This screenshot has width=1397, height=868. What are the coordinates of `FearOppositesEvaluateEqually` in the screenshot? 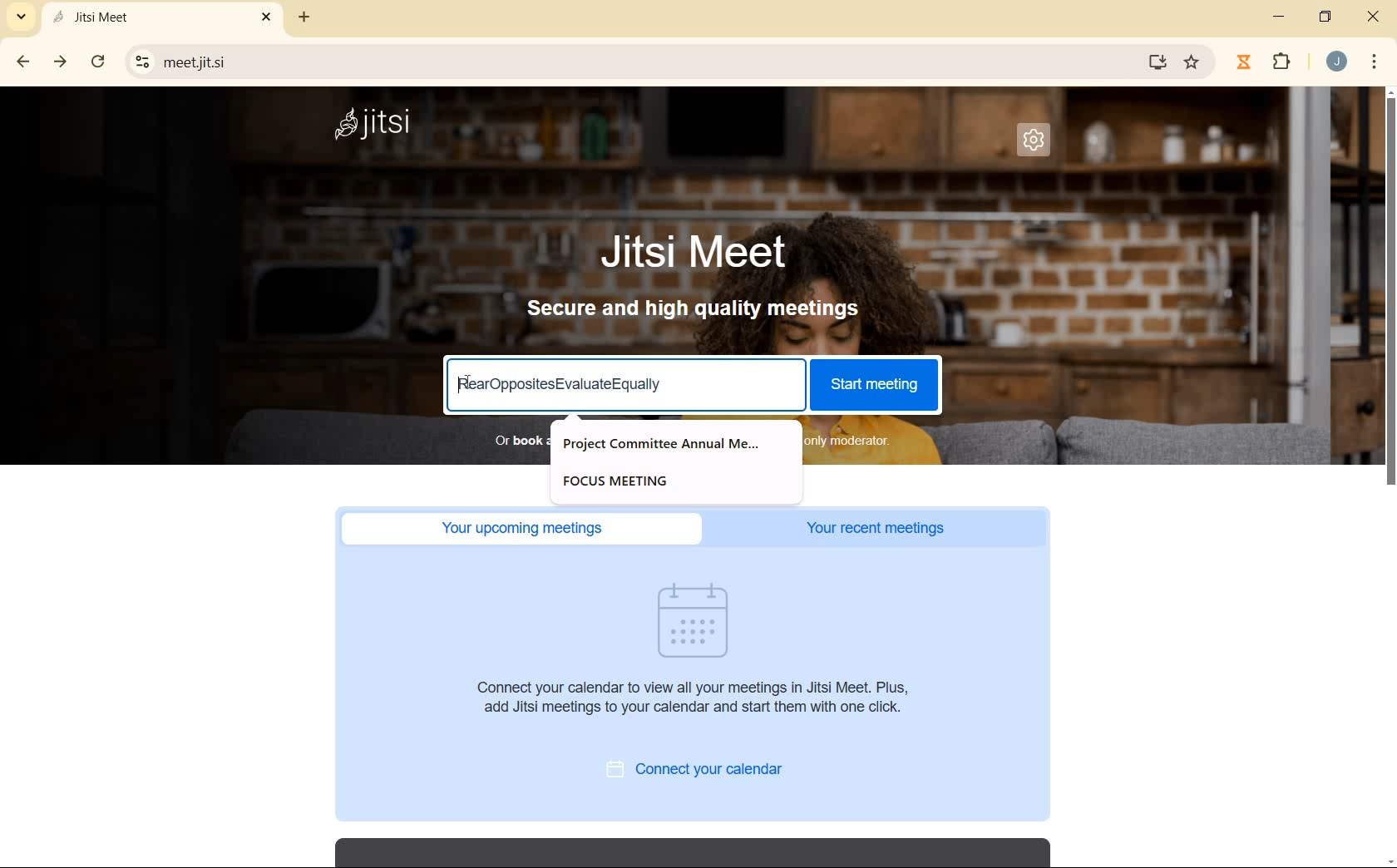 It's located at (604, 385).